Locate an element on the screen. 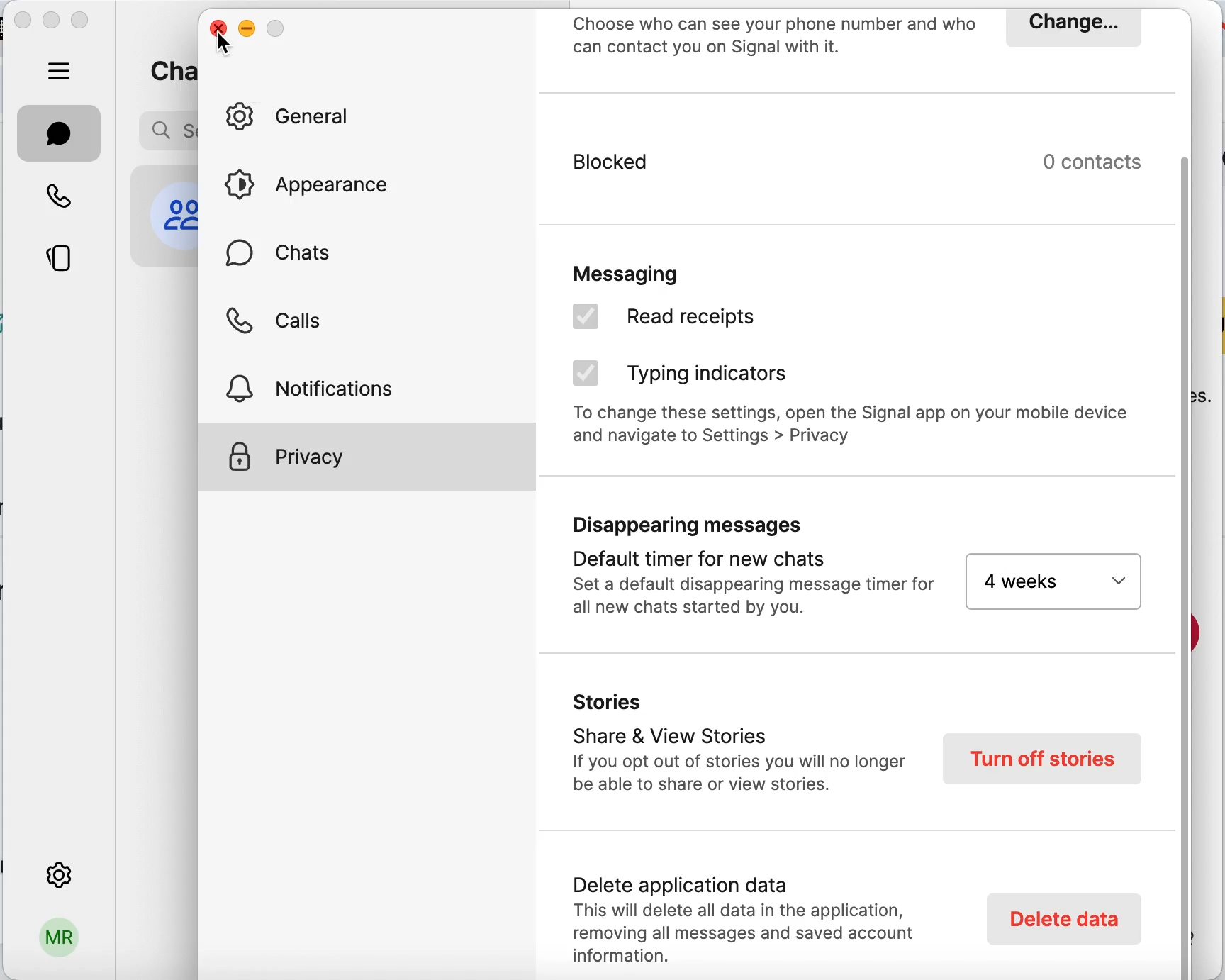 Image resolution: width=1225 pixels, height=980 pixels. chats is located at coordinates (285, 260).